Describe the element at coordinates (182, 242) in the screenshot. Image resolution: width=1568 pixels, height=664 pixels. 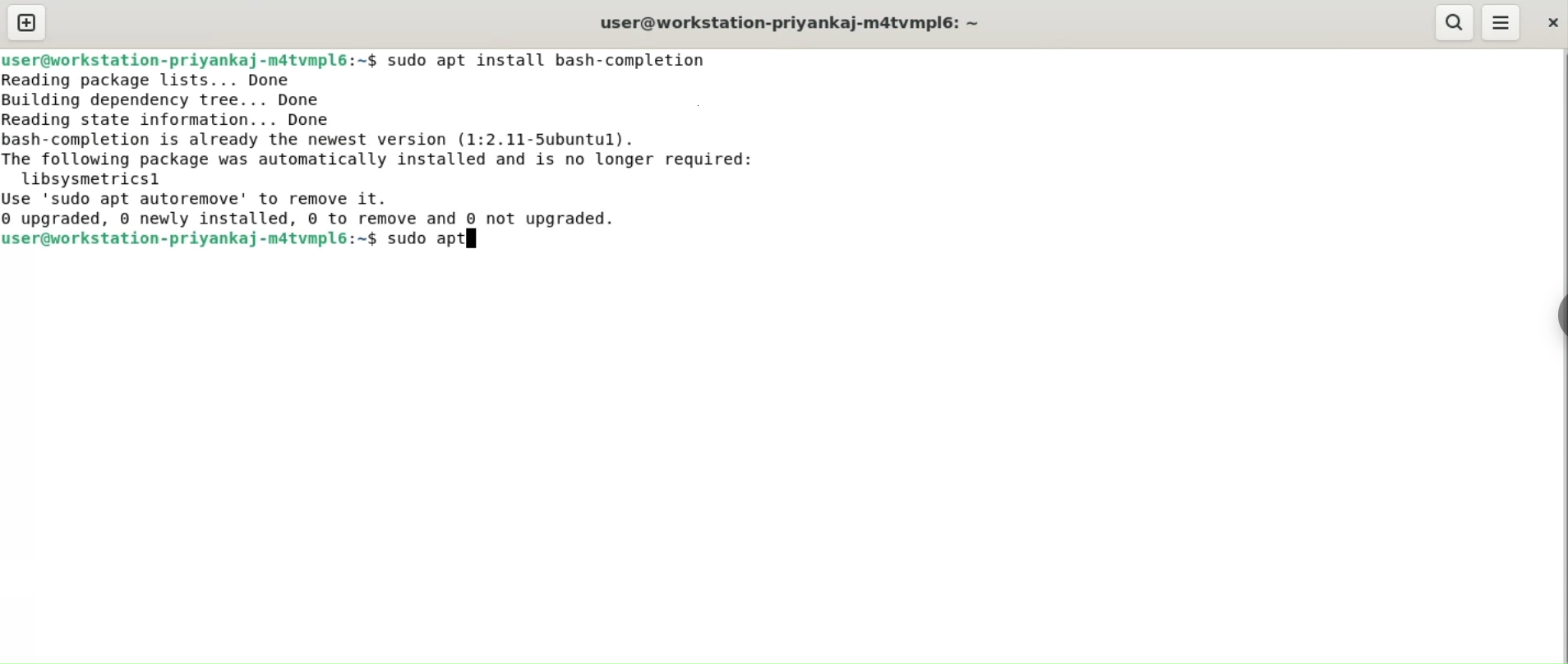
I see `user@orkstation-priyankaj-matvmple:~` at that location.